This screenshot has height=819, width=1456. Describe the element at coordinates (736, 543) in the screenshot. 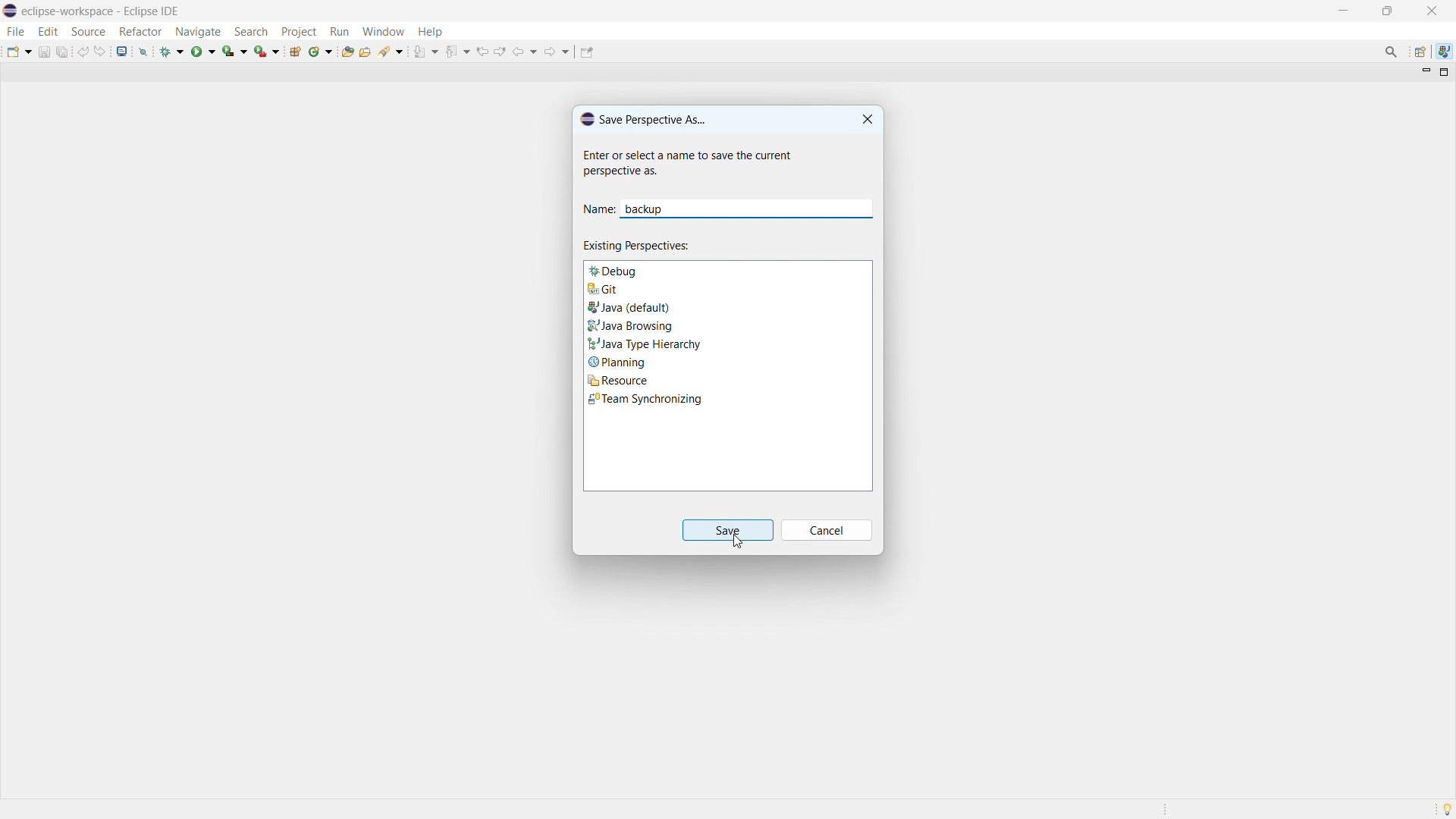

I see `cursor` at that location.